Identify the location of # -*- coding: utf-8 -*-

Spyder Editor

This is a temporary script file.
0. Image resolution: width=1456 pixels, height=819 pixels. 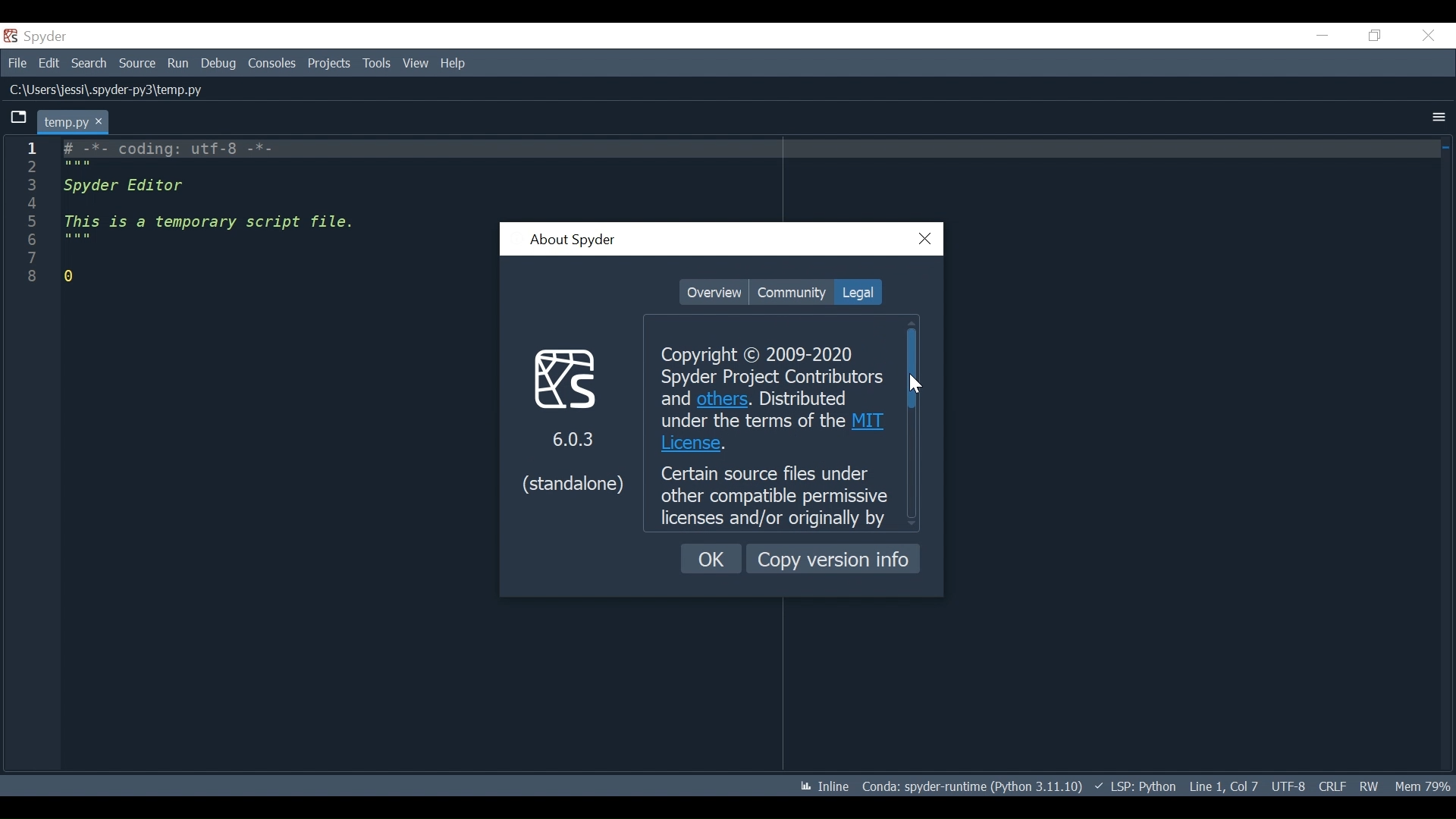
(213, 212).